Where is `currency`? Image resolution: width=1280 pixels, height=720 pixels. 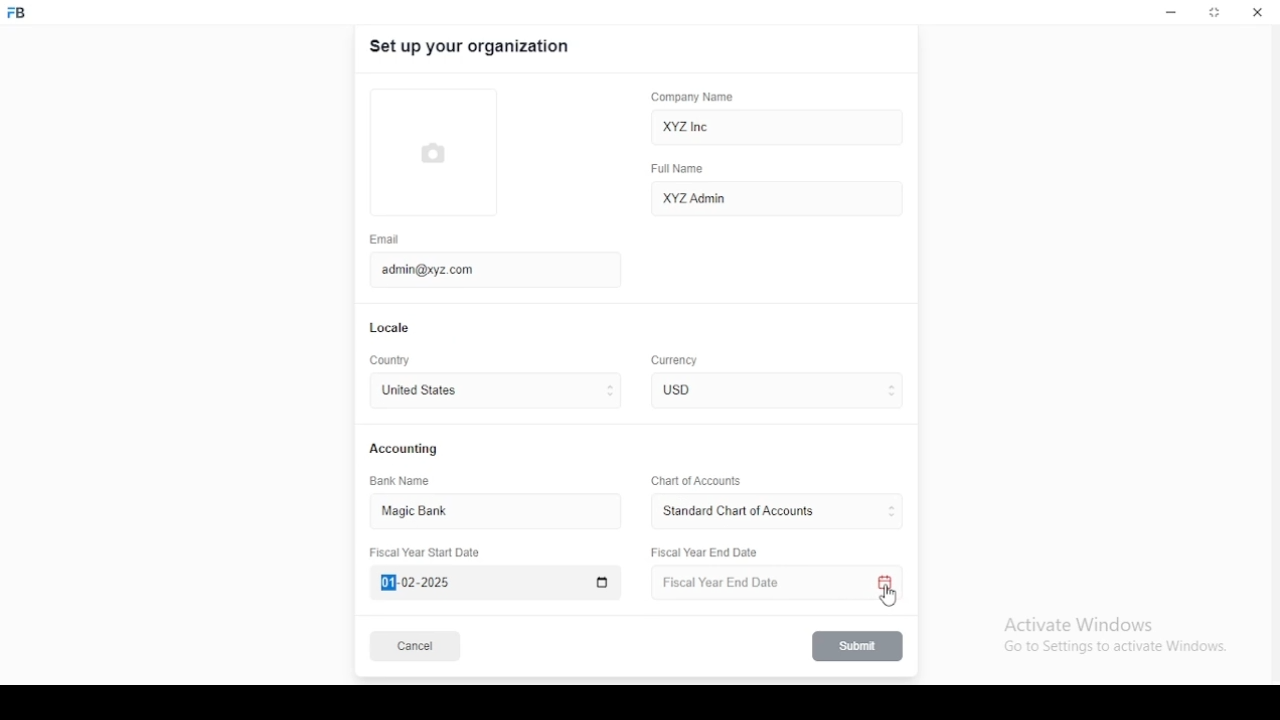
currency is located at coordinates (689, 390).